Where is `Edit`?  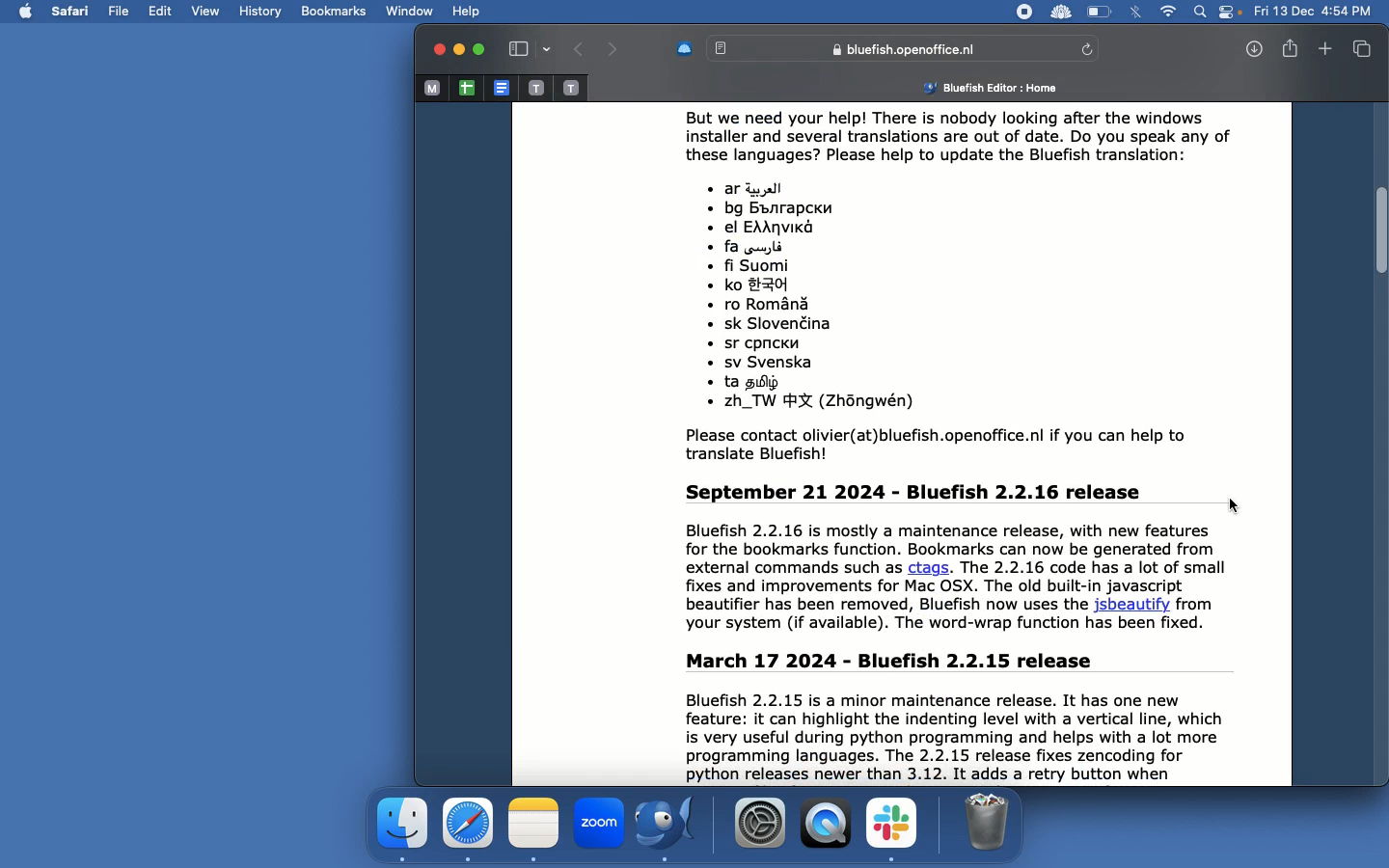 Edit is located at coordinates (164, 12).